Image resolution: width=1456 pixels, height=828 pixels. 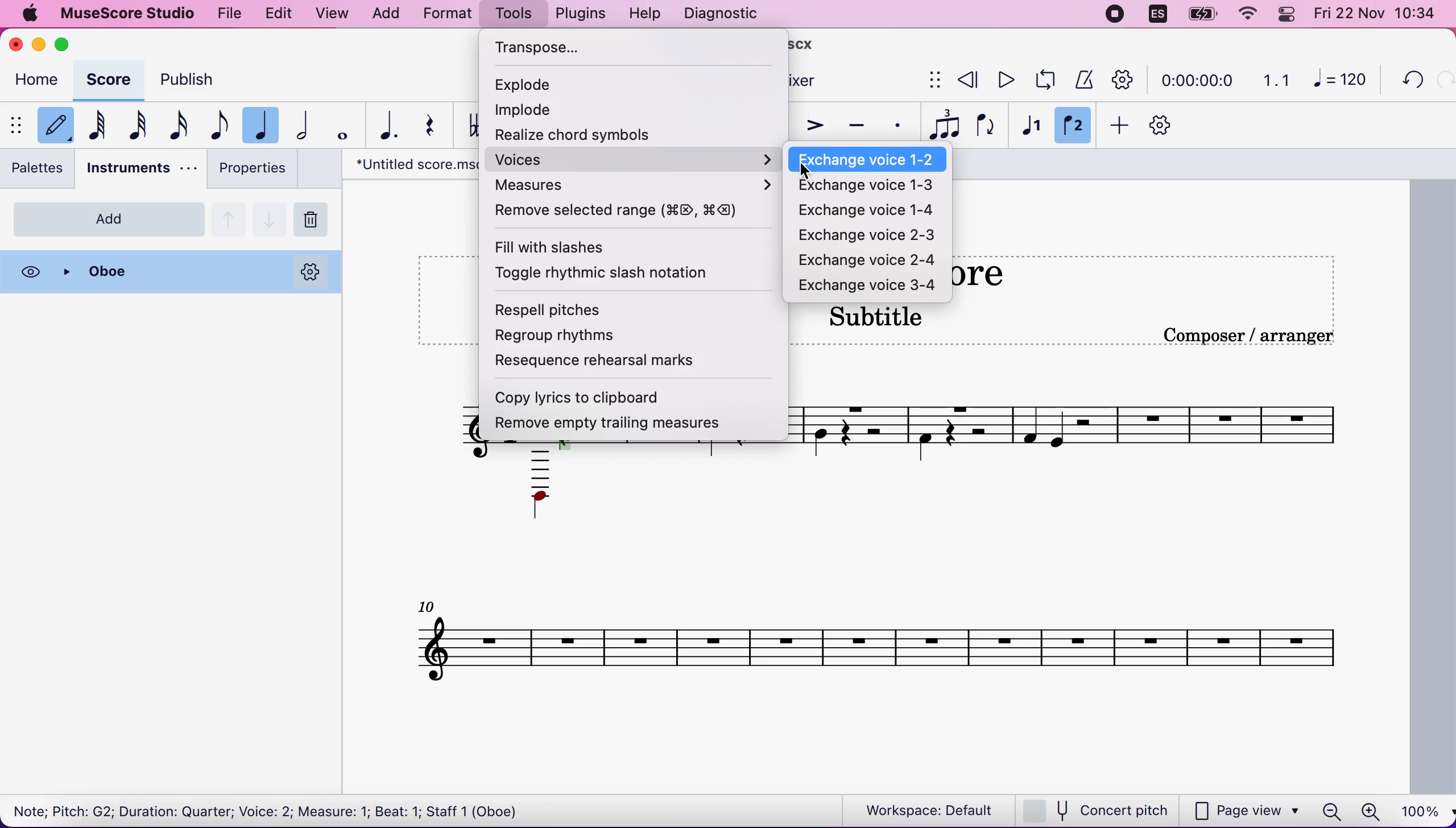 I want to click on transpose, so click(x=599, y=47).